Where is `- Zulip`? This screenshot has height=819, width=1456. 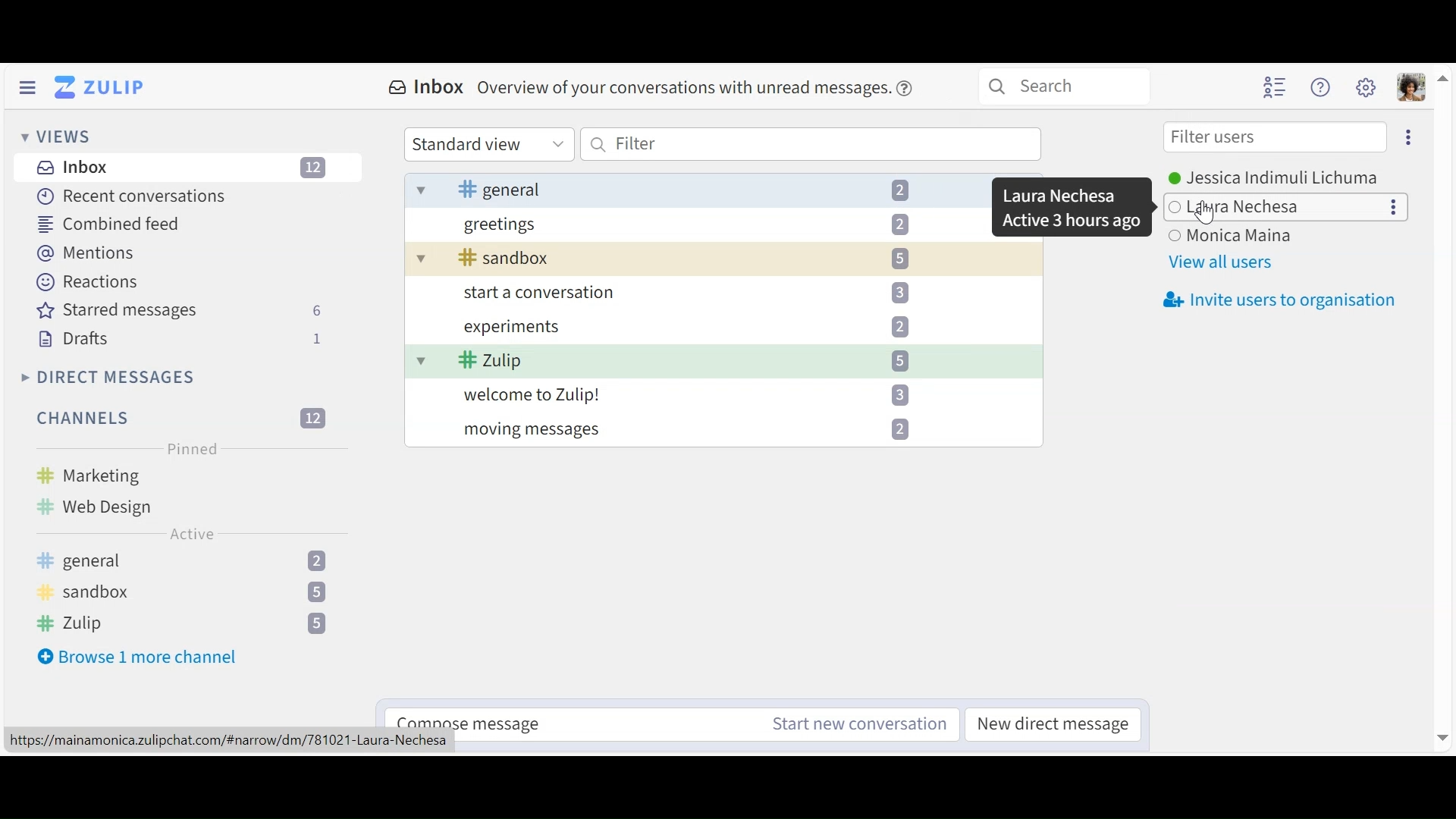
- Zulip is located at coordinates (691, 362).